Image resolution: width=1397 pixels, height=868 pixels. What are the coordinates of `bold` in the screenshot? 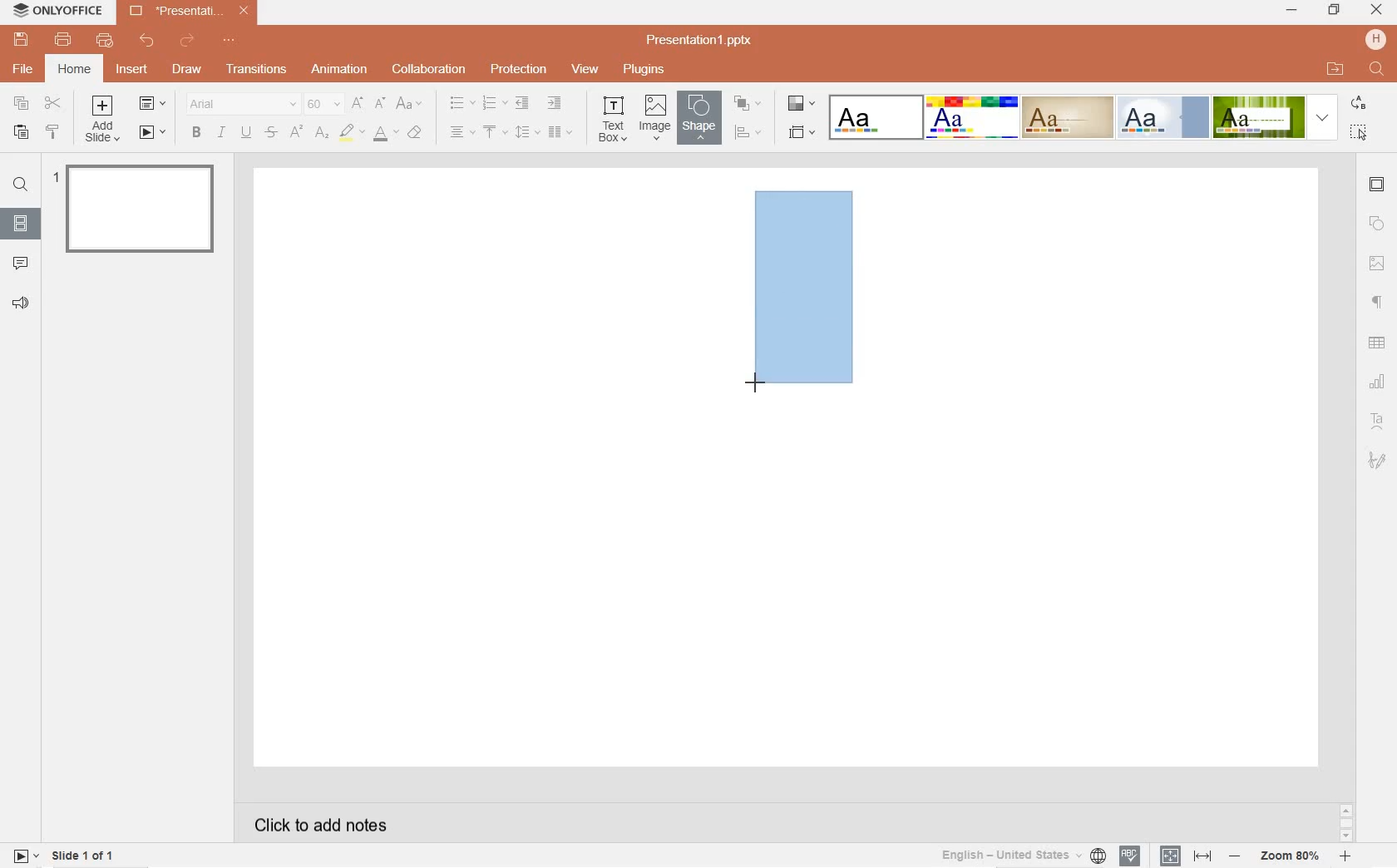 It's located at (195, 132).